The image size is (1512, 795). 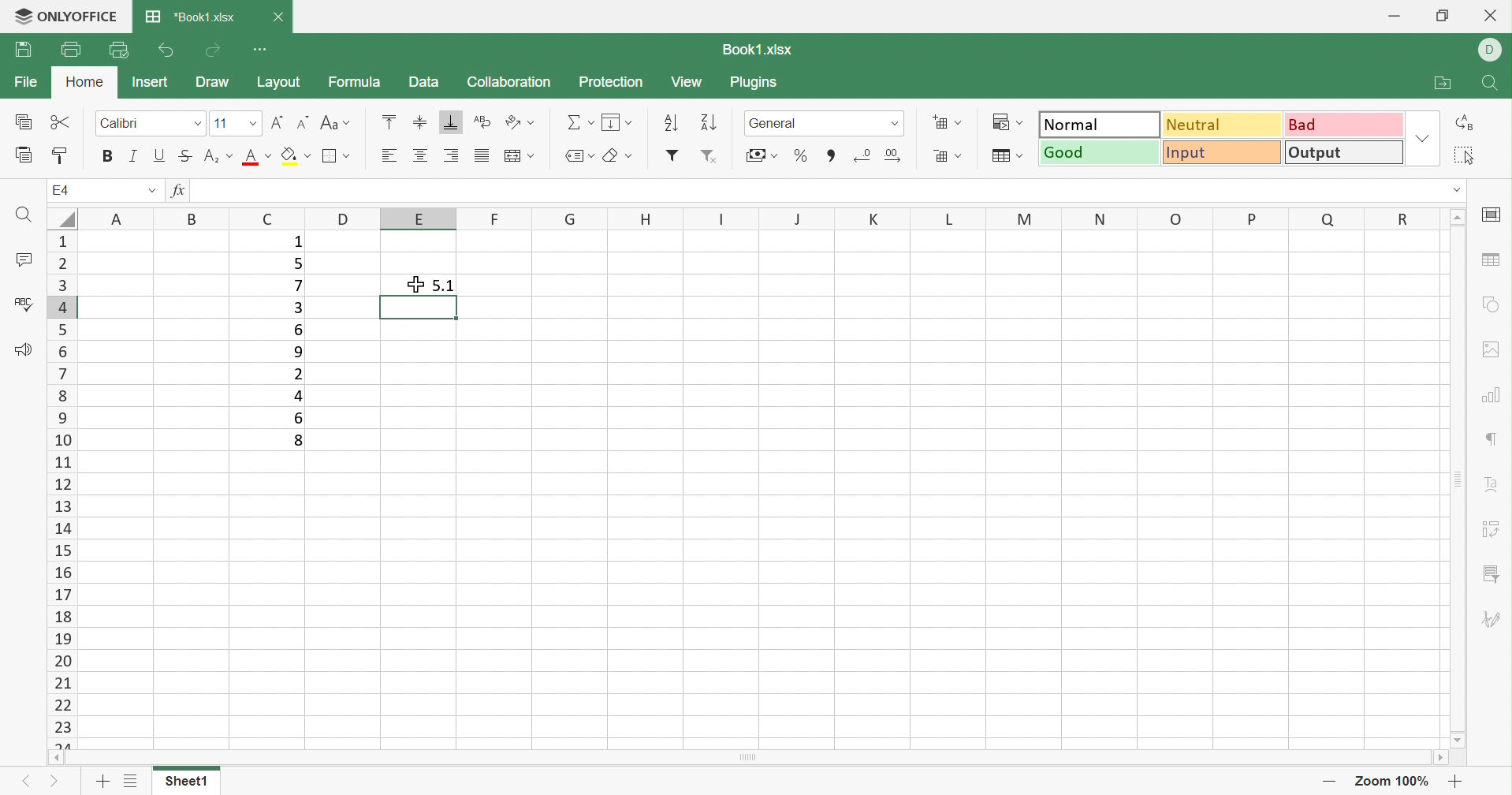 What do you see at coordinates (1458, 192) in the screenshot?
I see `Drop Down` at bounding box center [1458, 192].